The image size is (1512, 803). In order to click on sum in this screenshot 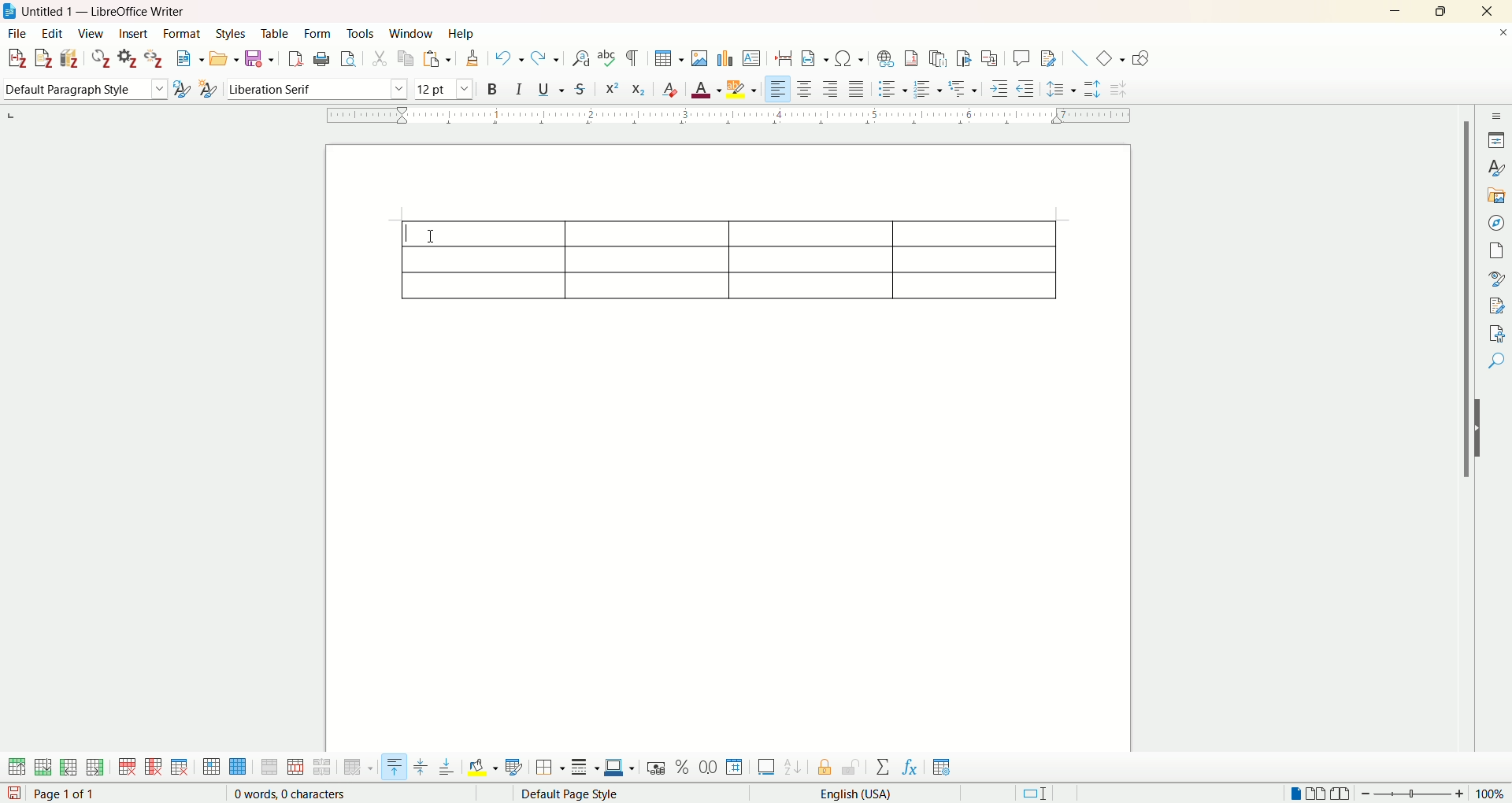, I will do `click(883, 764)`.